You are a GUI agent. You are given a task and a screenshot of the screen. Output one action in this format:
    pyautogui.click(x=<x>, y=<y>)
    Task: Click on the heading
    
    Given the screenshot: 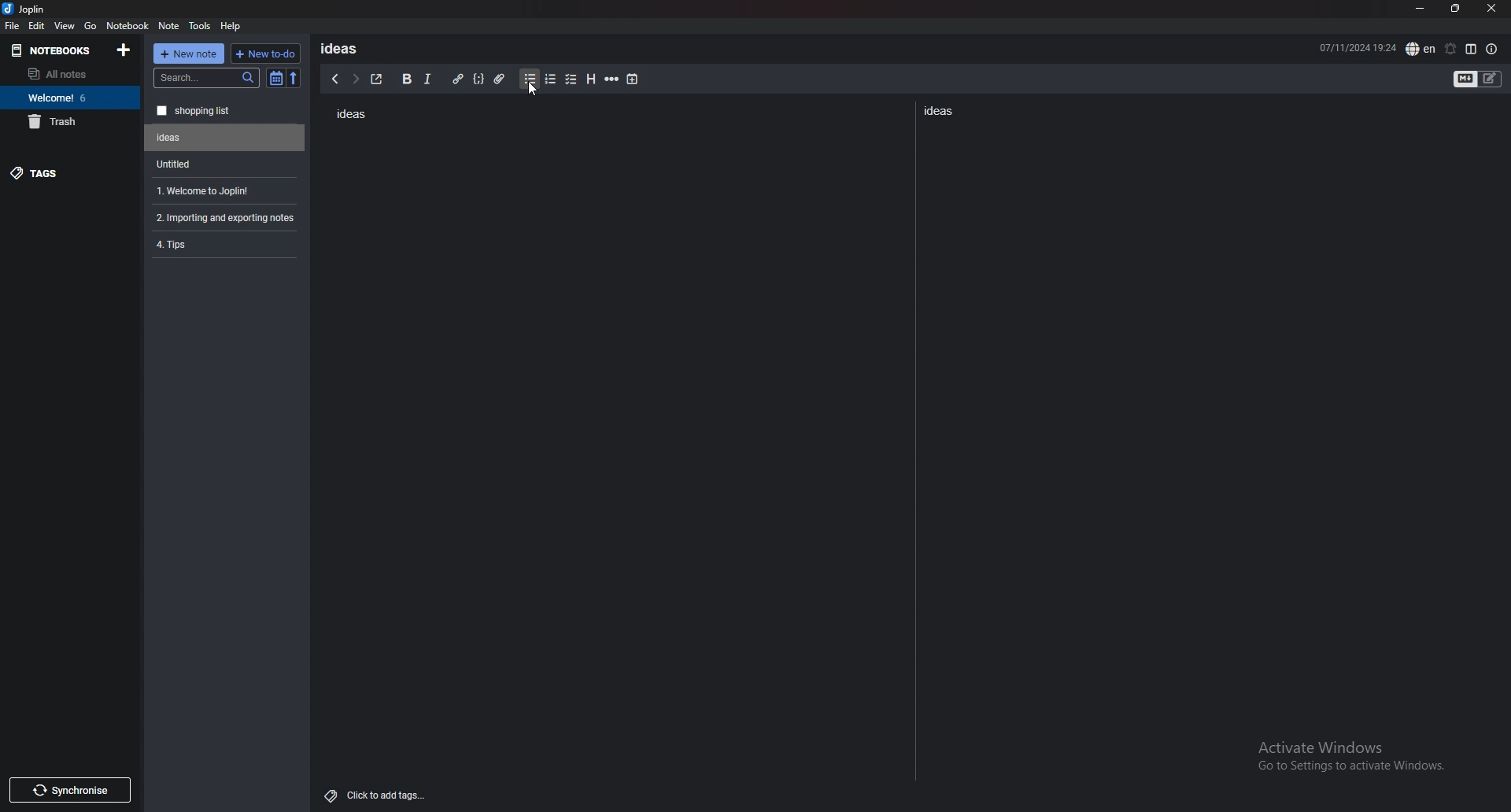 What is the action you would take?
    pyautogui.click(x=589, y=79)
    